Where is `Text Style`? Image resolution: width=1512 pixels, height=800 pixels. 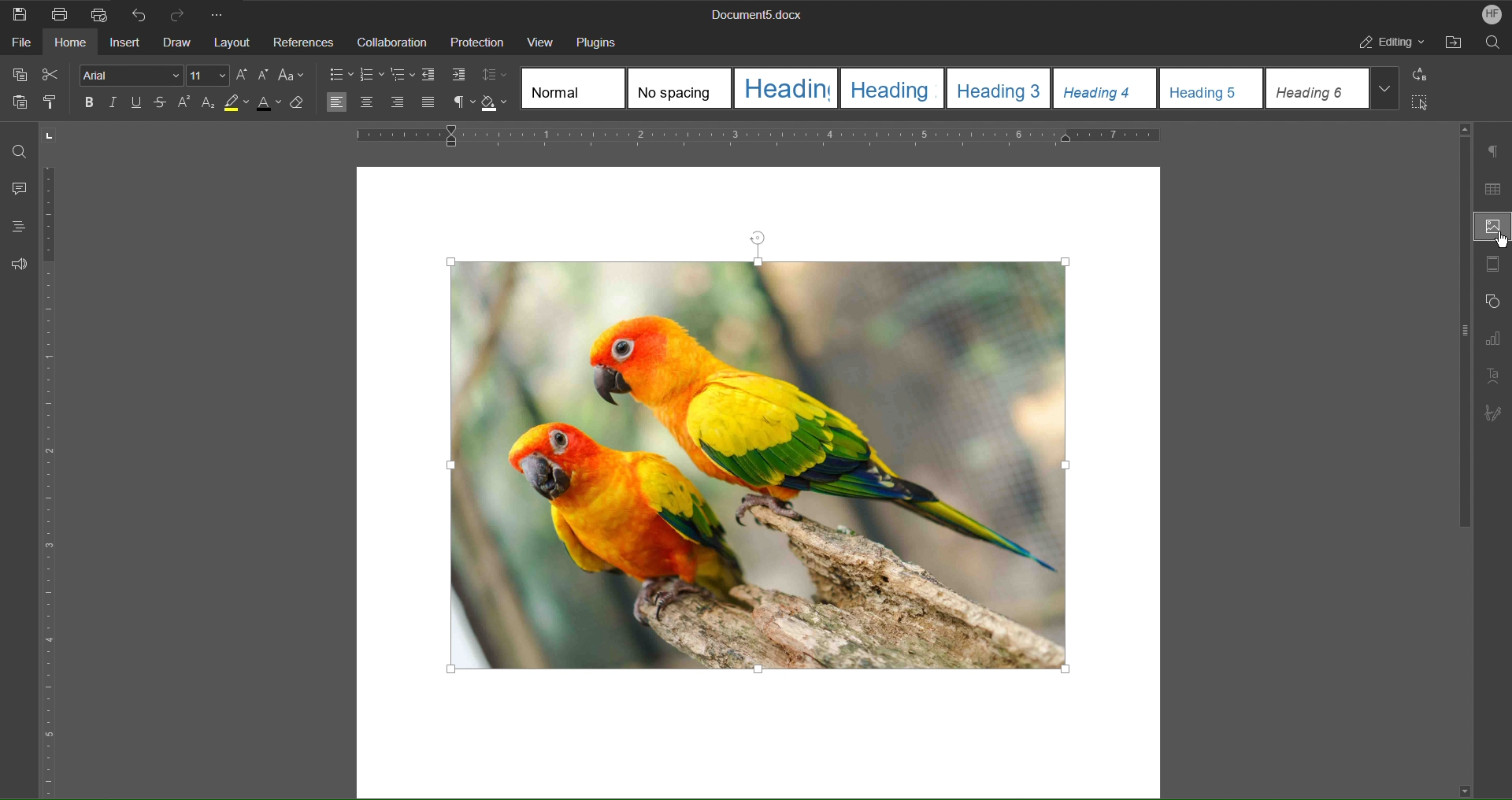 Text Style is located at coordinates (962, 88).